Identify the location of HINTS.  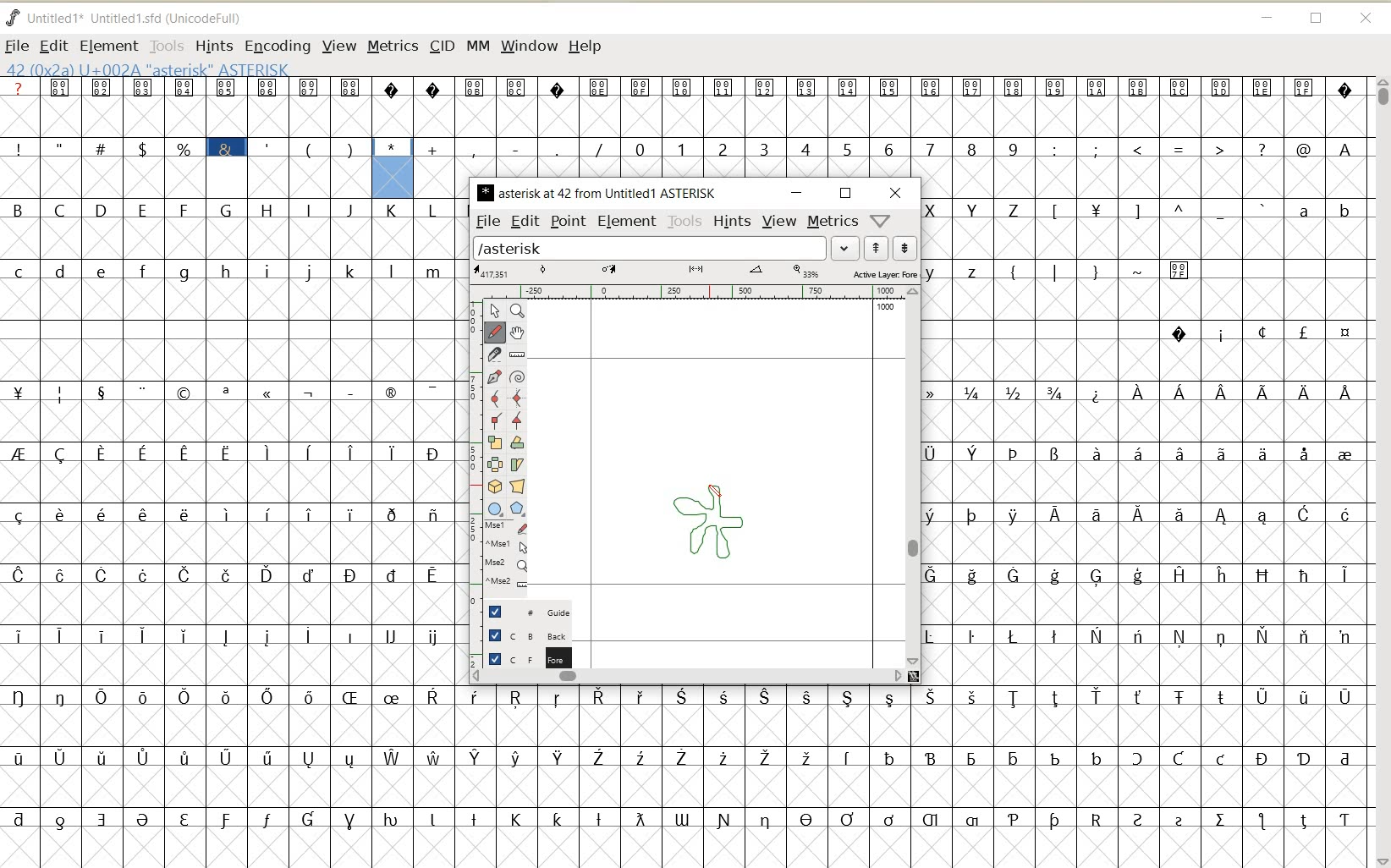
(733, 222).